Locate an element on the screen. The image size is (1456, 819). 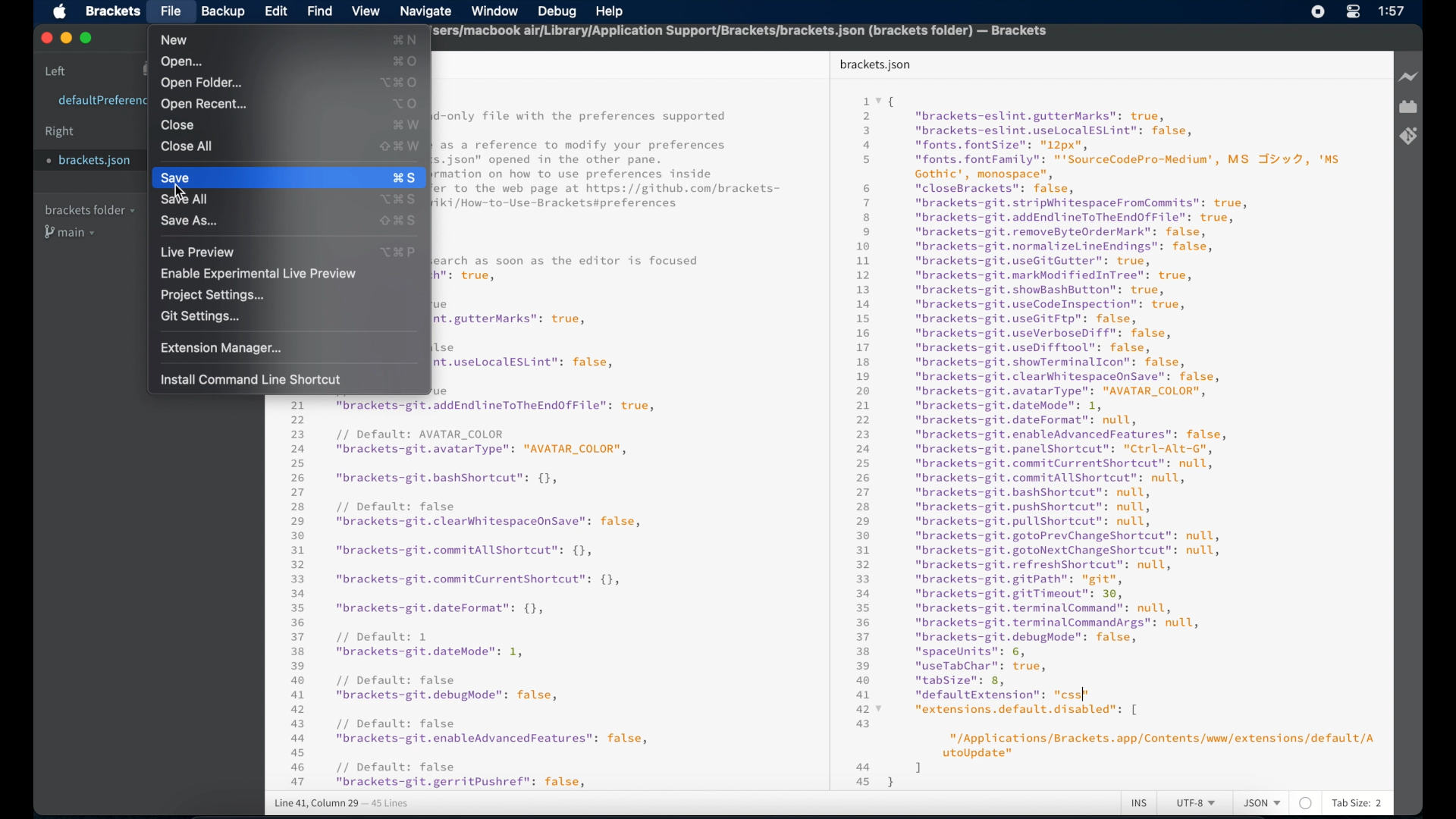
left is located at coordinates (56, 71).